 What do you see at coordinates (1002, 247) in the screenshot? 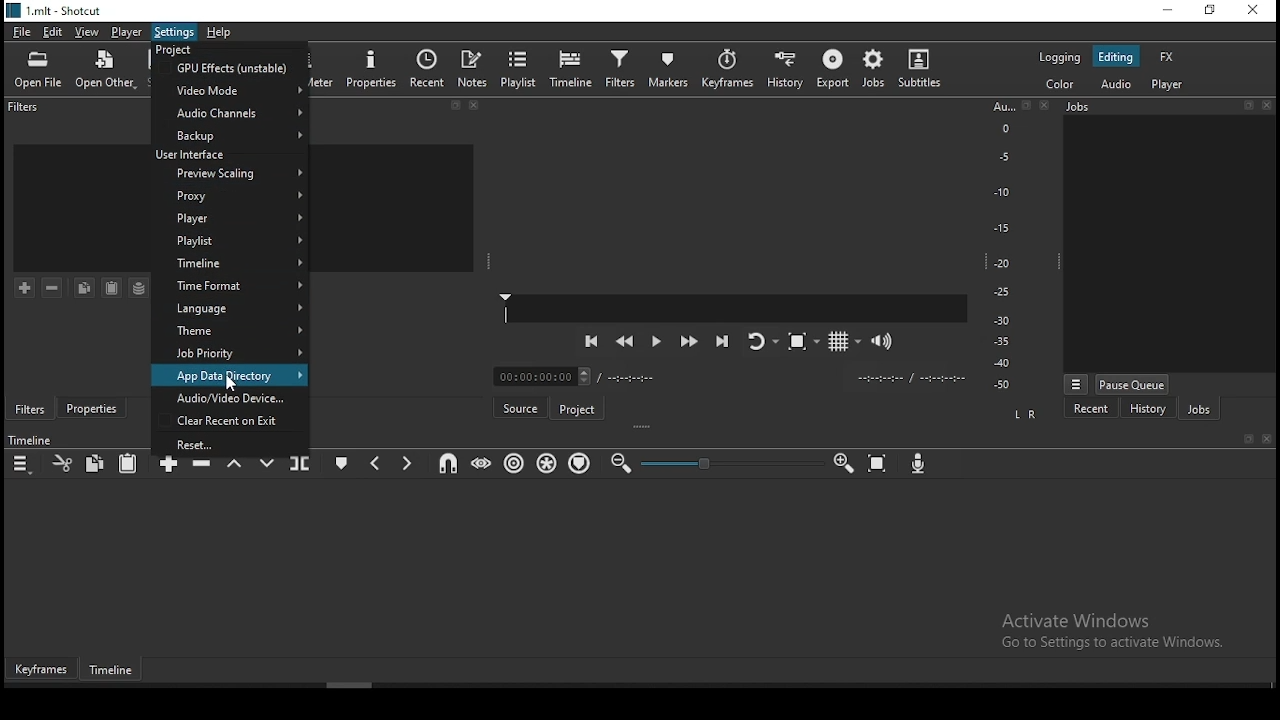
I see `scale` at bounding box center [1002, 247].